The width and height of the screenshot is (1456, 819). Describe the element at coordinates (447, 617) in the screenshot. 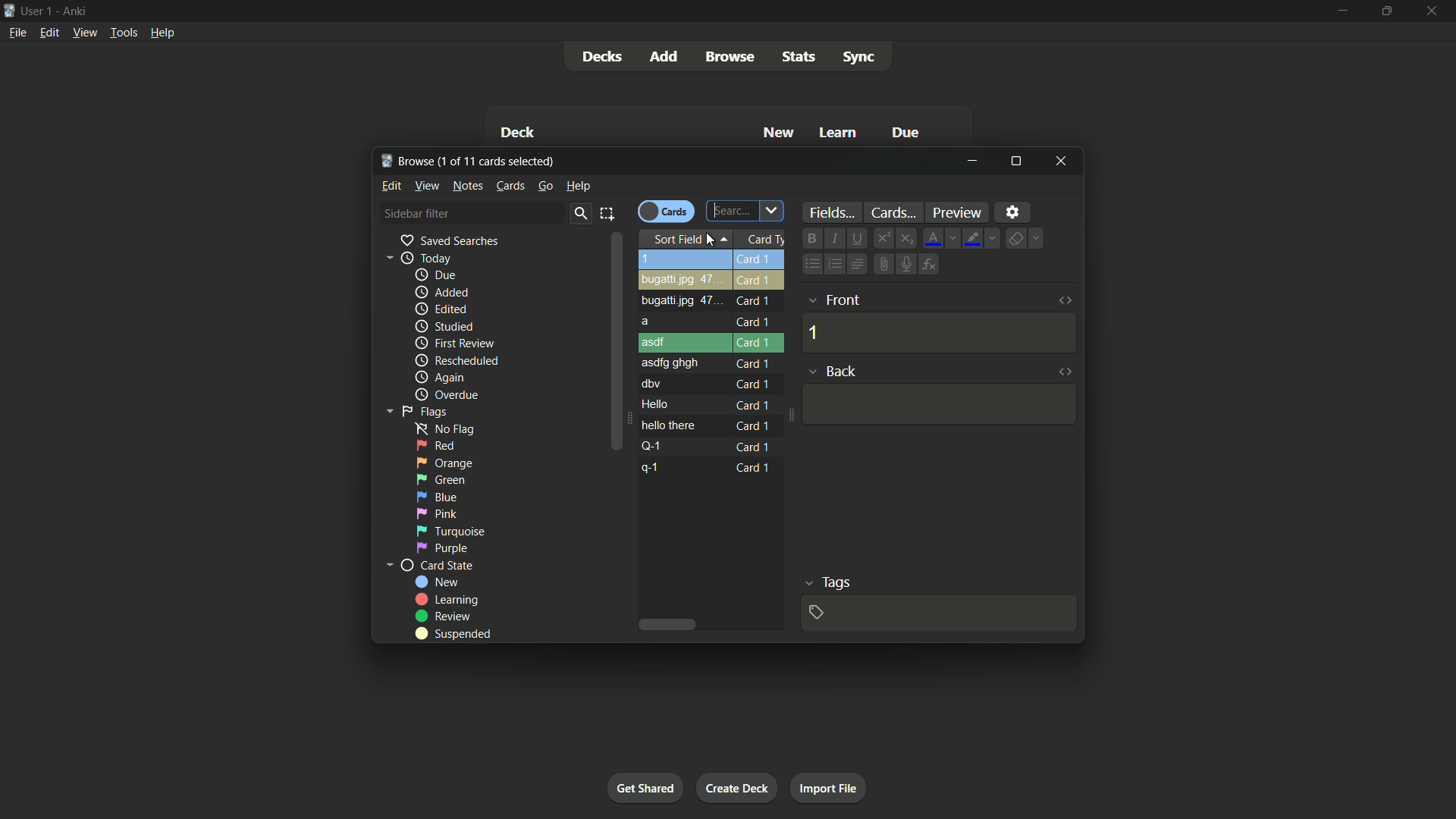

I see `review` at that location.